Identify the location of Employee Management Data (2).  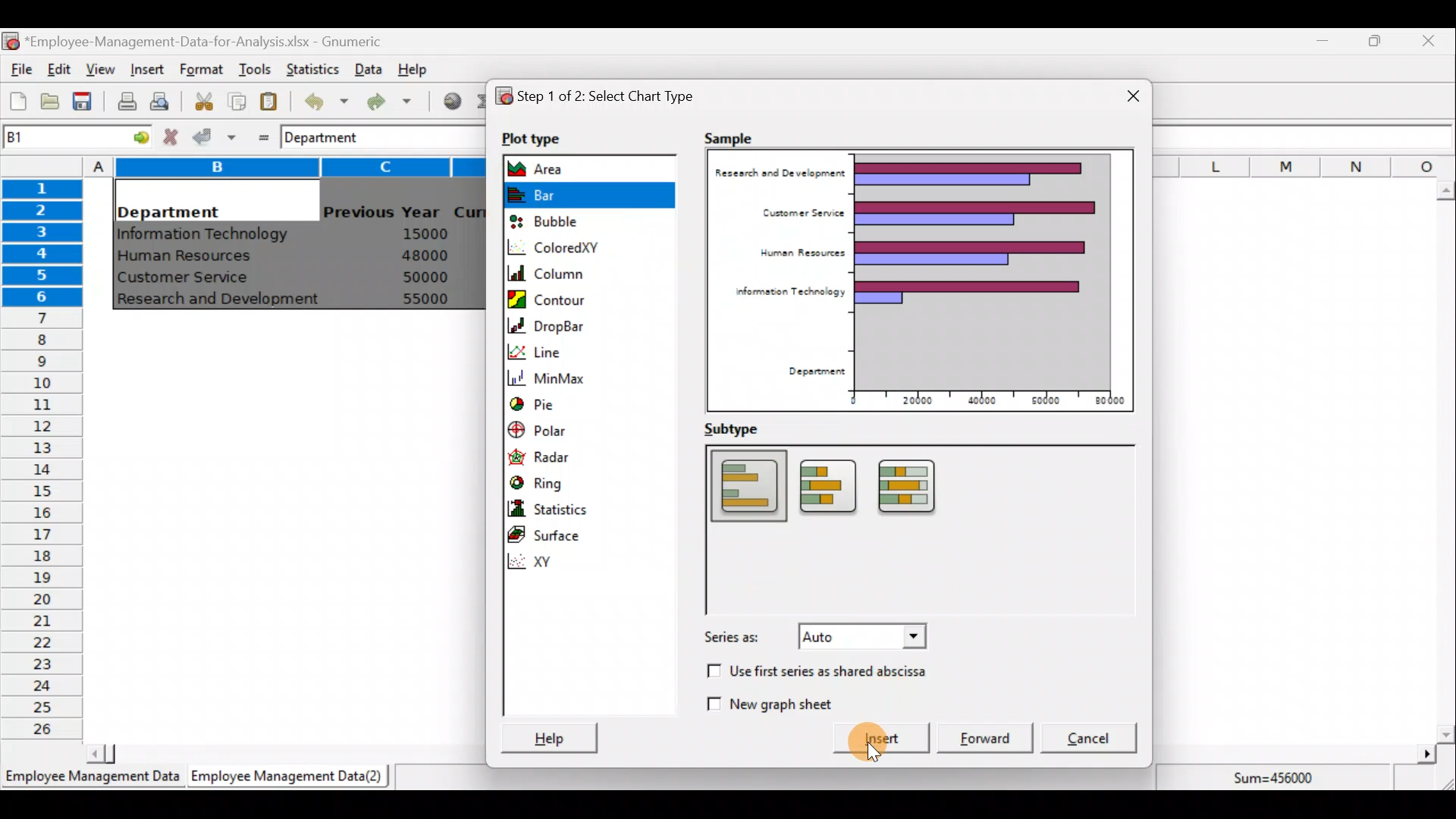
(290, 777).